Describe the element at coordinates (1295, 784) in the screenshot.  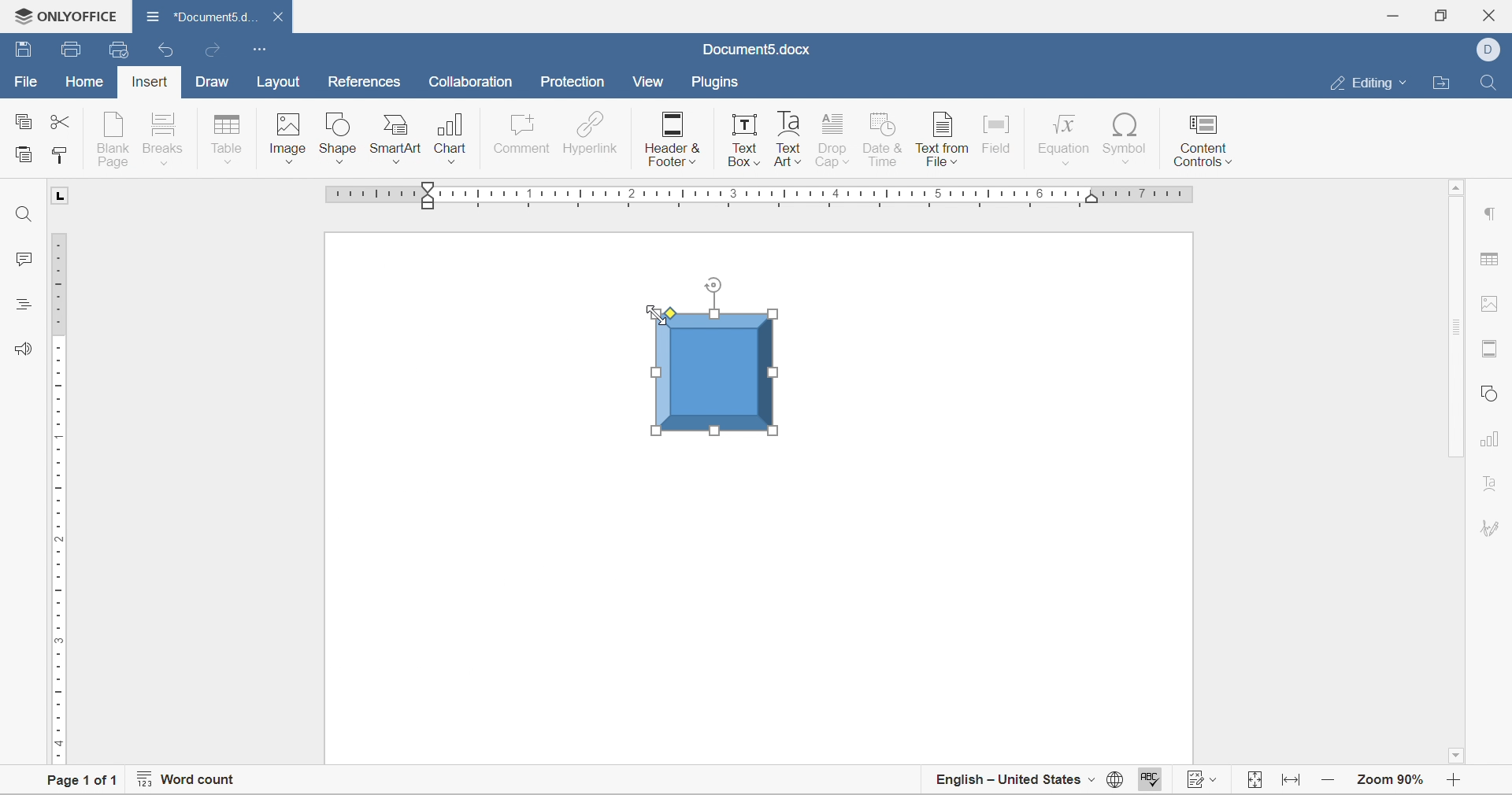
I see `fit to width` at that location.